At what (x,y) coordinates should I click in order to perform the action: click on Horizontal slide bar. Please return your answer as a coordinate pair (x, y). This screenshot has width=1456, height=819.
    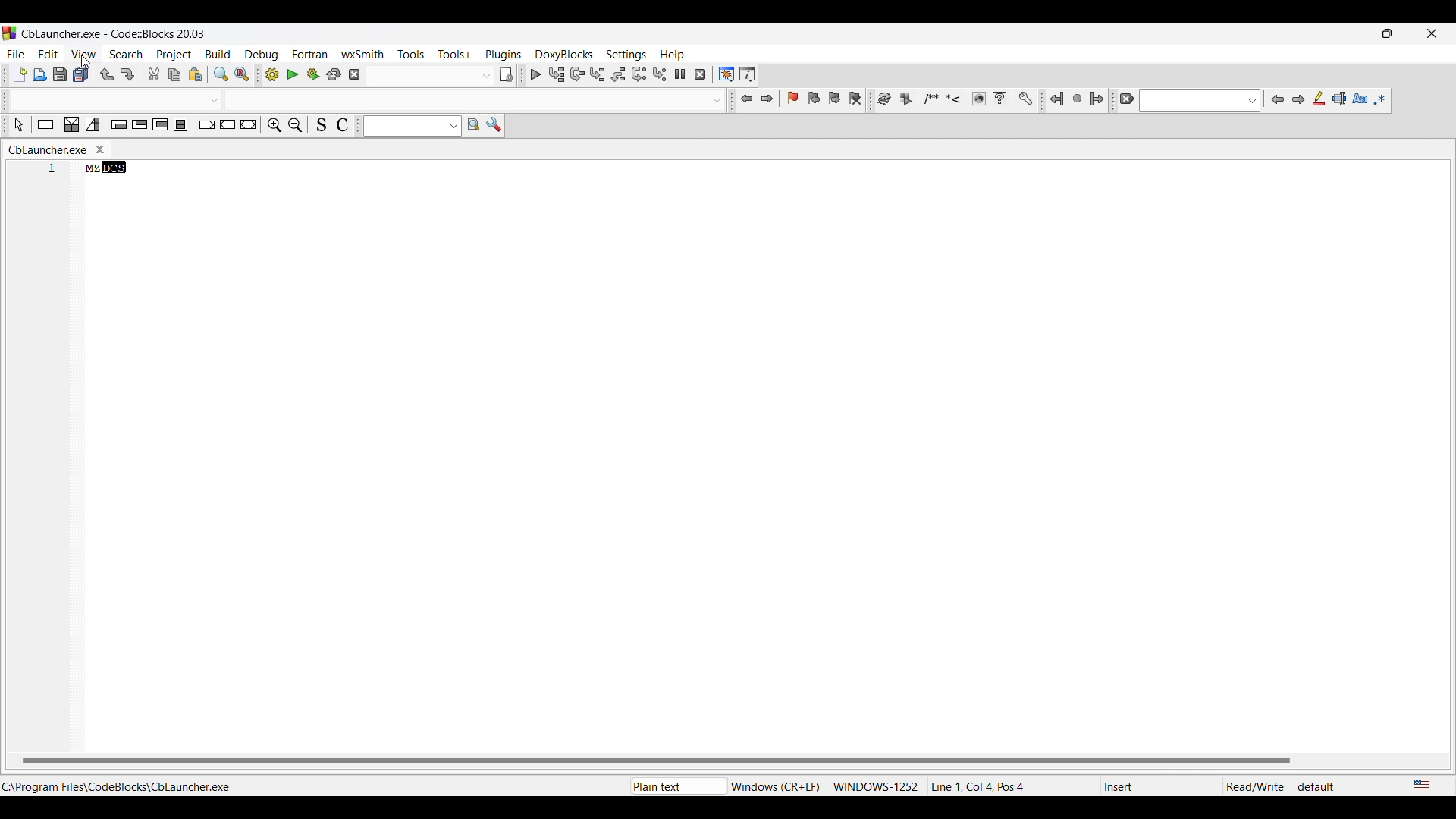
    Looking at the image, I should click on (657, 761).